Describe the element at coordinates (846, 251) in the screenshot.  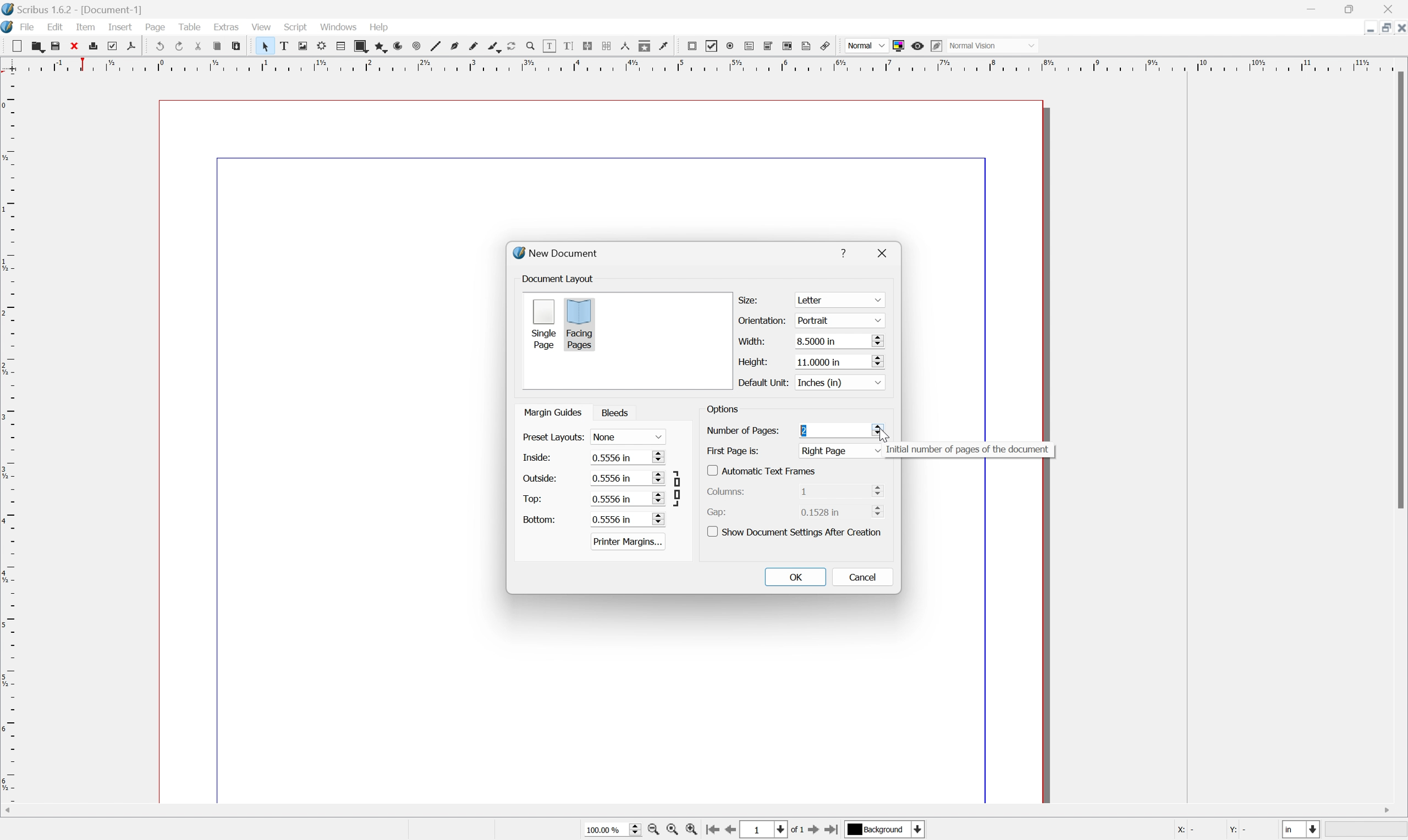
I see `help` at that location.